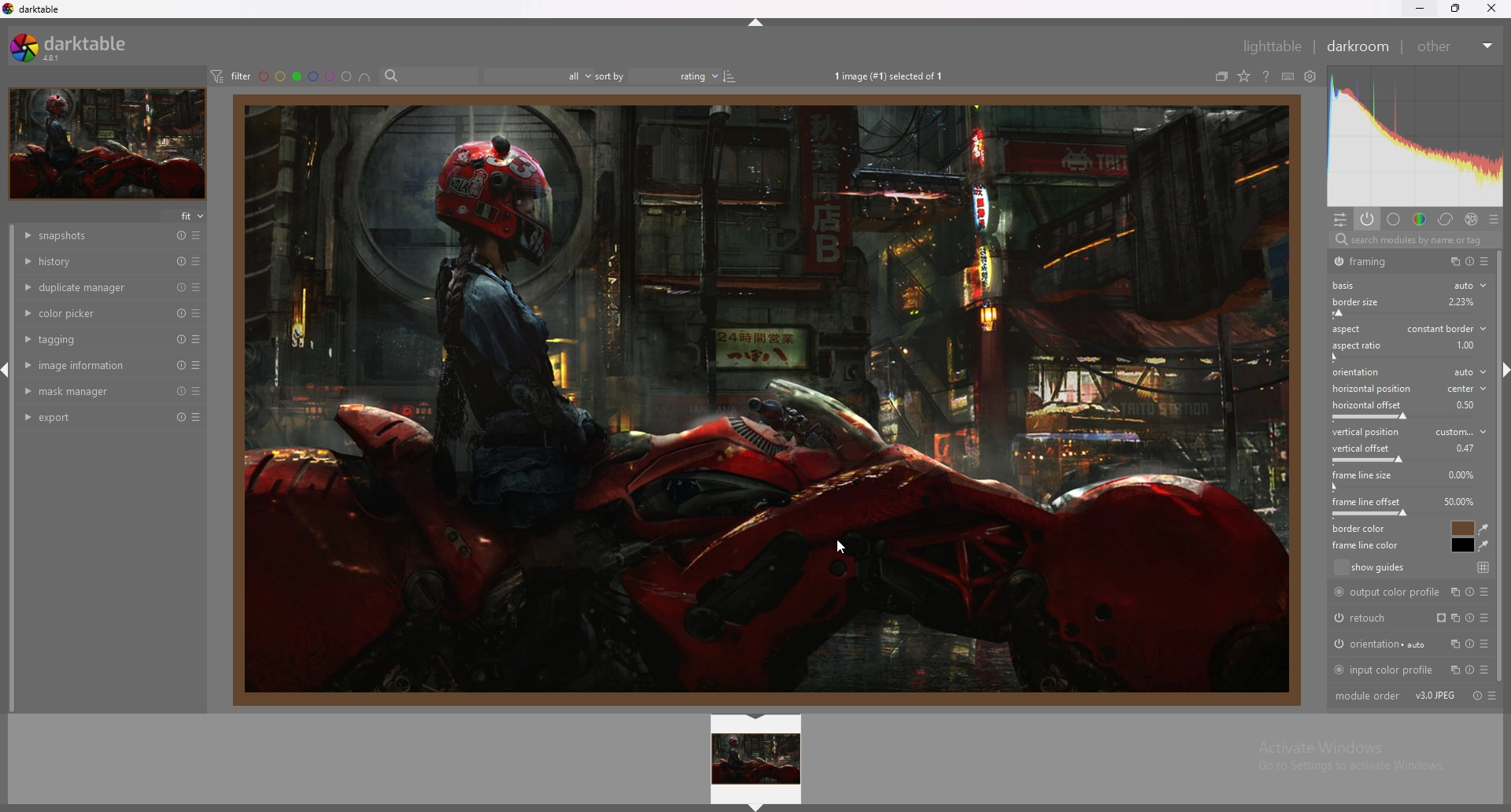  I want to click on duplicate manager, so click(94, 286).